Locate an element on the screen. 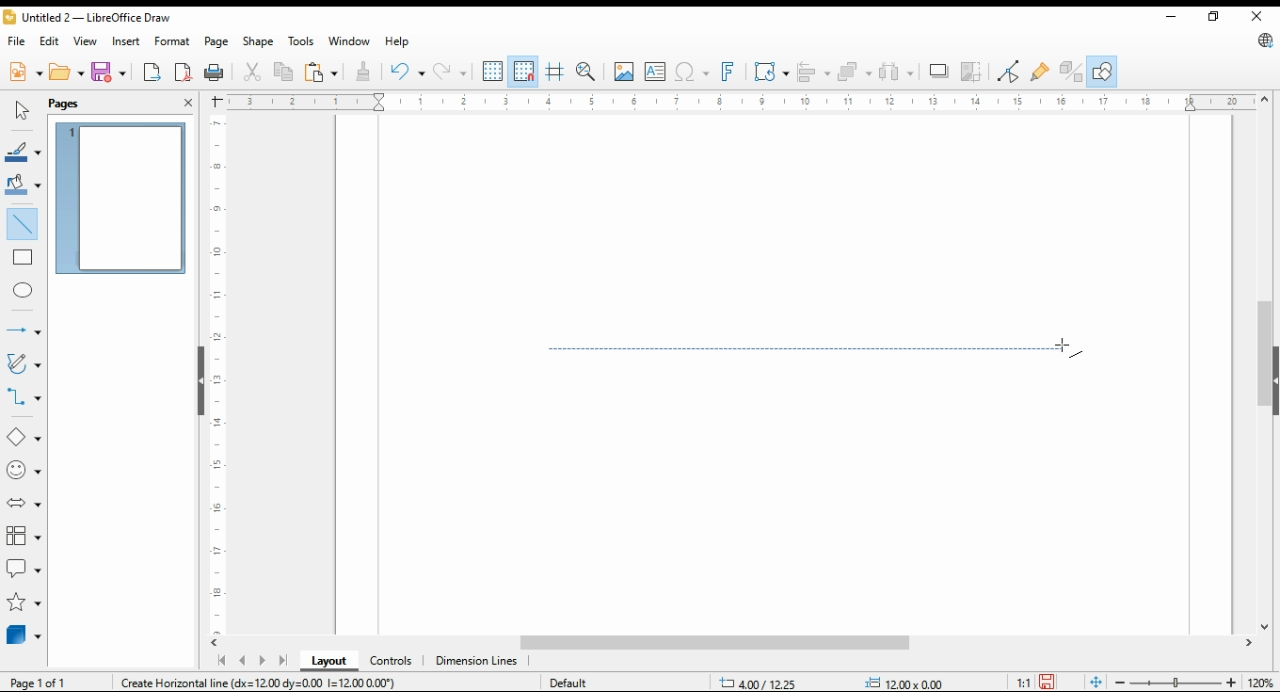 Image resolution: width=1280 pixels, height=692 pixels. fill color is located at coordinates (23, 183).